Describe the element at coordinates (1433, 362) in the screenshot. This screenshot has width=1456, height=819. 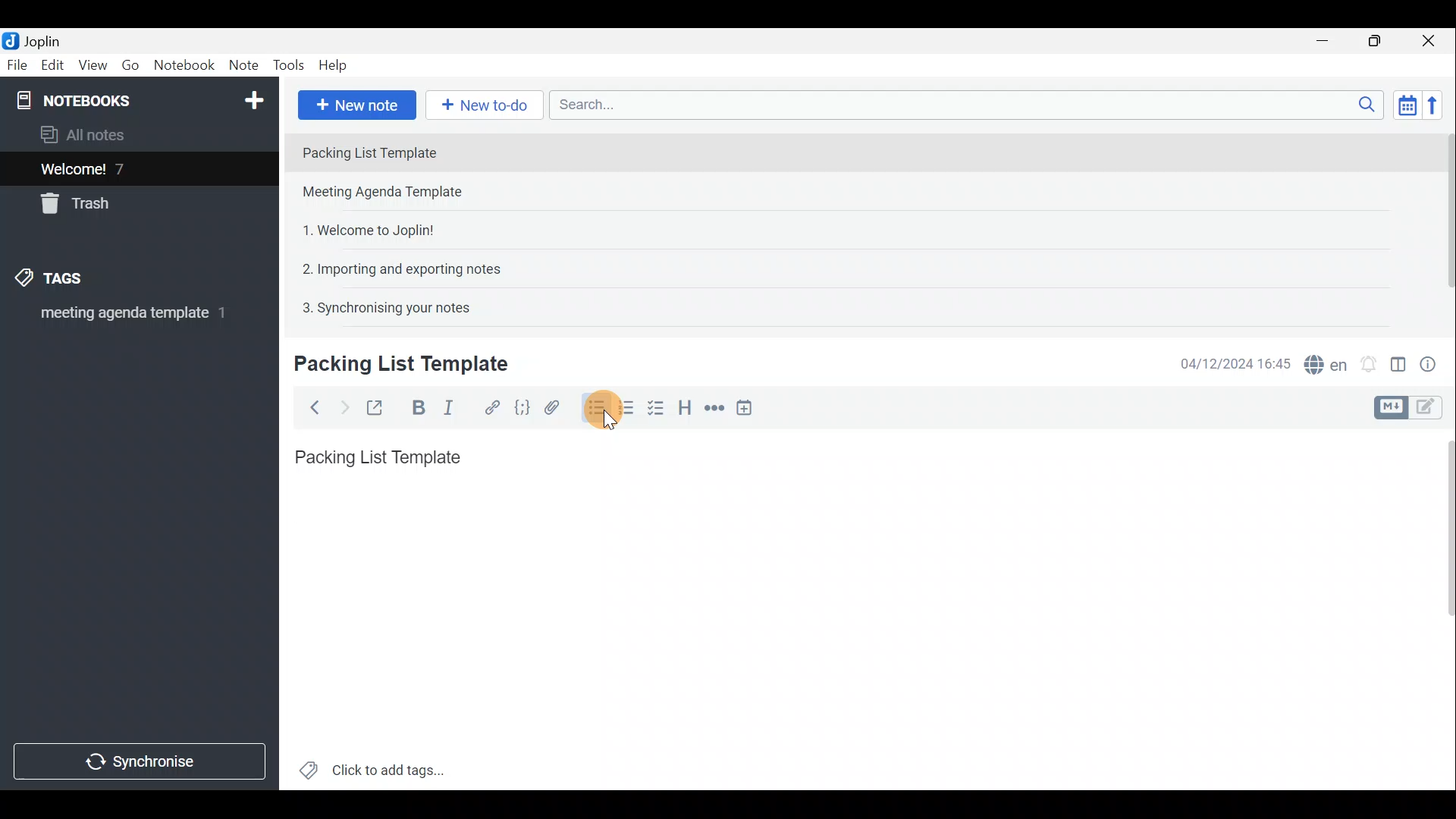
I see `Note properties` at that location.